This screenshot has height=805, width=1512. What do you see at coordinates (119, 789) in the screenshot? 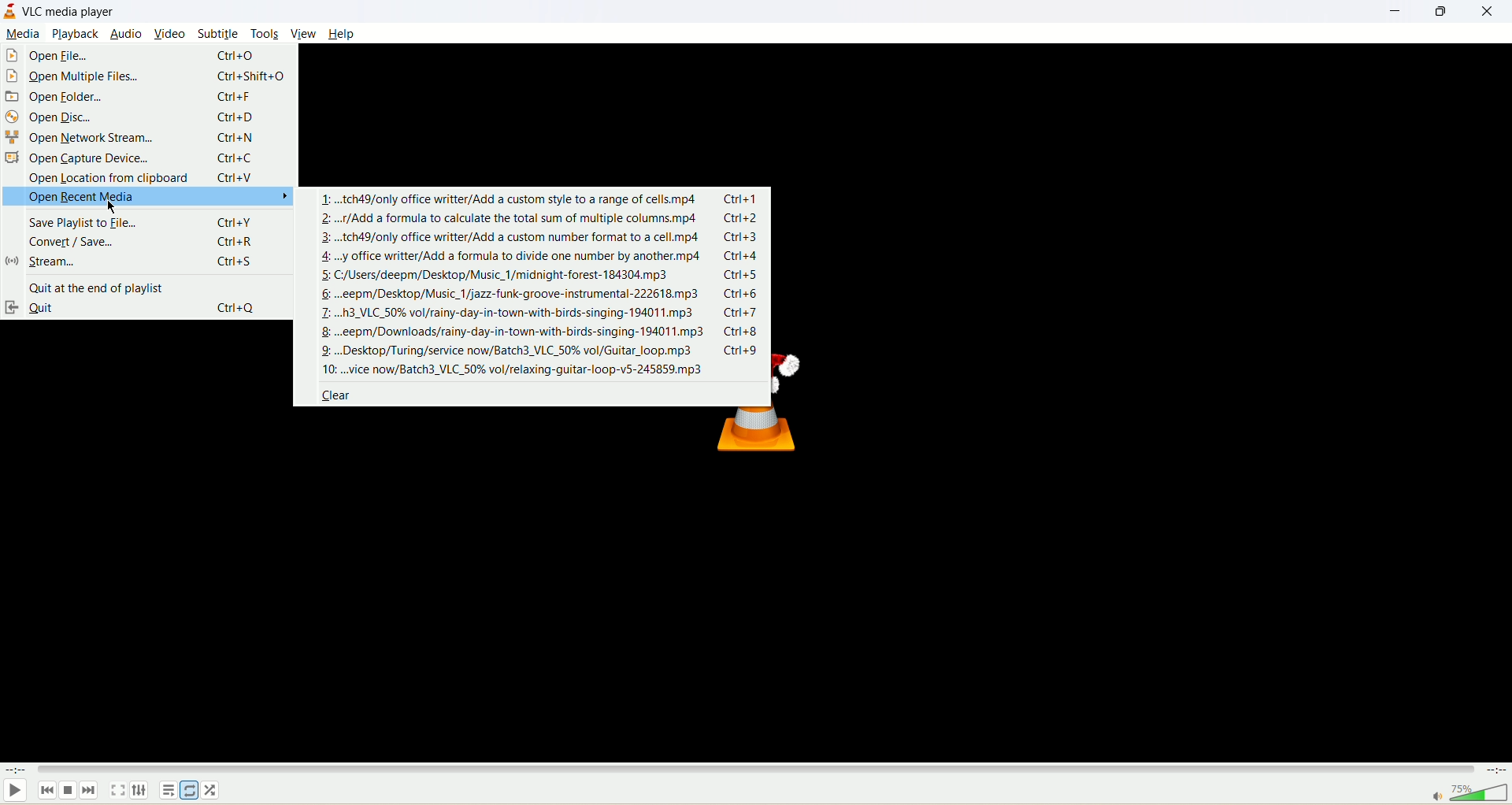
I see `full screen` at bounding box center [119, 789].